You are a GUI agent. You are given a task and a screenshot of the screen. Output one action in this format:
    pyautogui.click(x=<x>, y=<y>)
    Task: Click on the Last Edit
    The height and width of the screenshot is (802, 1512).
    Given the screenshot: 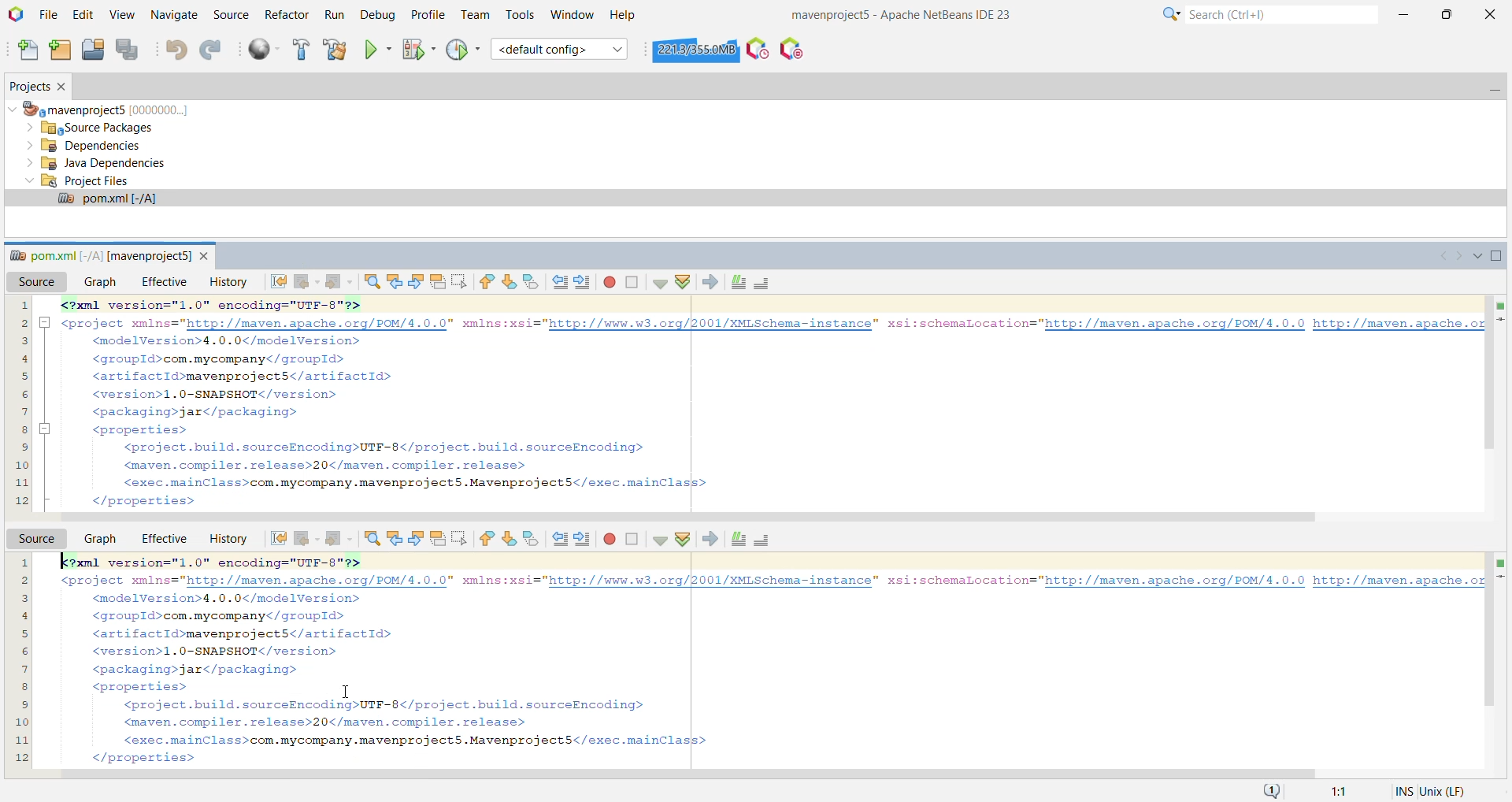 What is the action you would take?
    pyautogui.click(x=276, y=538)
    